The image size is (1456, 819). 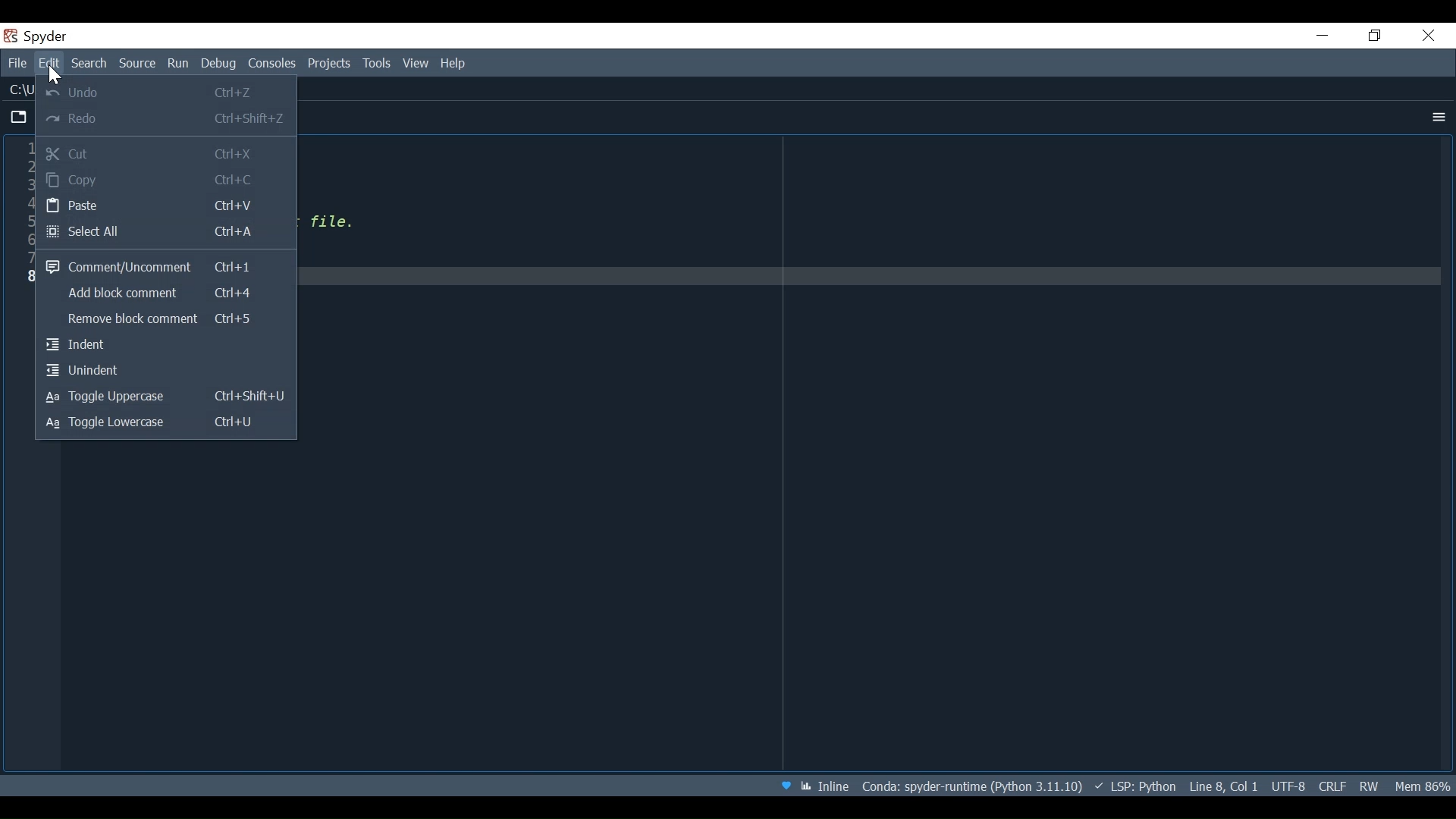 I want to click on Restore, so click(x=1376, y=36).